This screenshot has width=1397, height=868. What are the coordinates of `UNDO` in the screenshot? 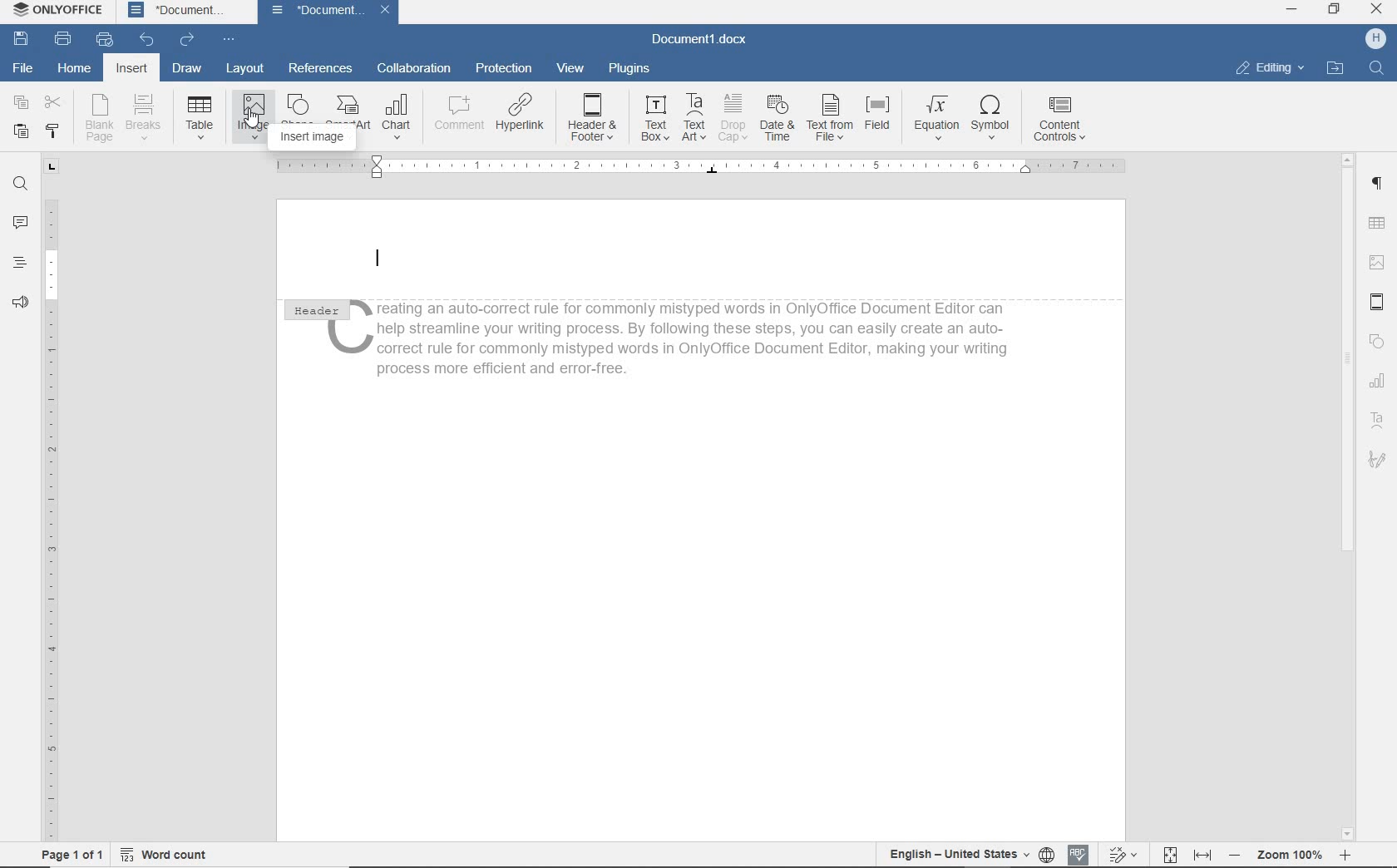 It's located at (148, 37).